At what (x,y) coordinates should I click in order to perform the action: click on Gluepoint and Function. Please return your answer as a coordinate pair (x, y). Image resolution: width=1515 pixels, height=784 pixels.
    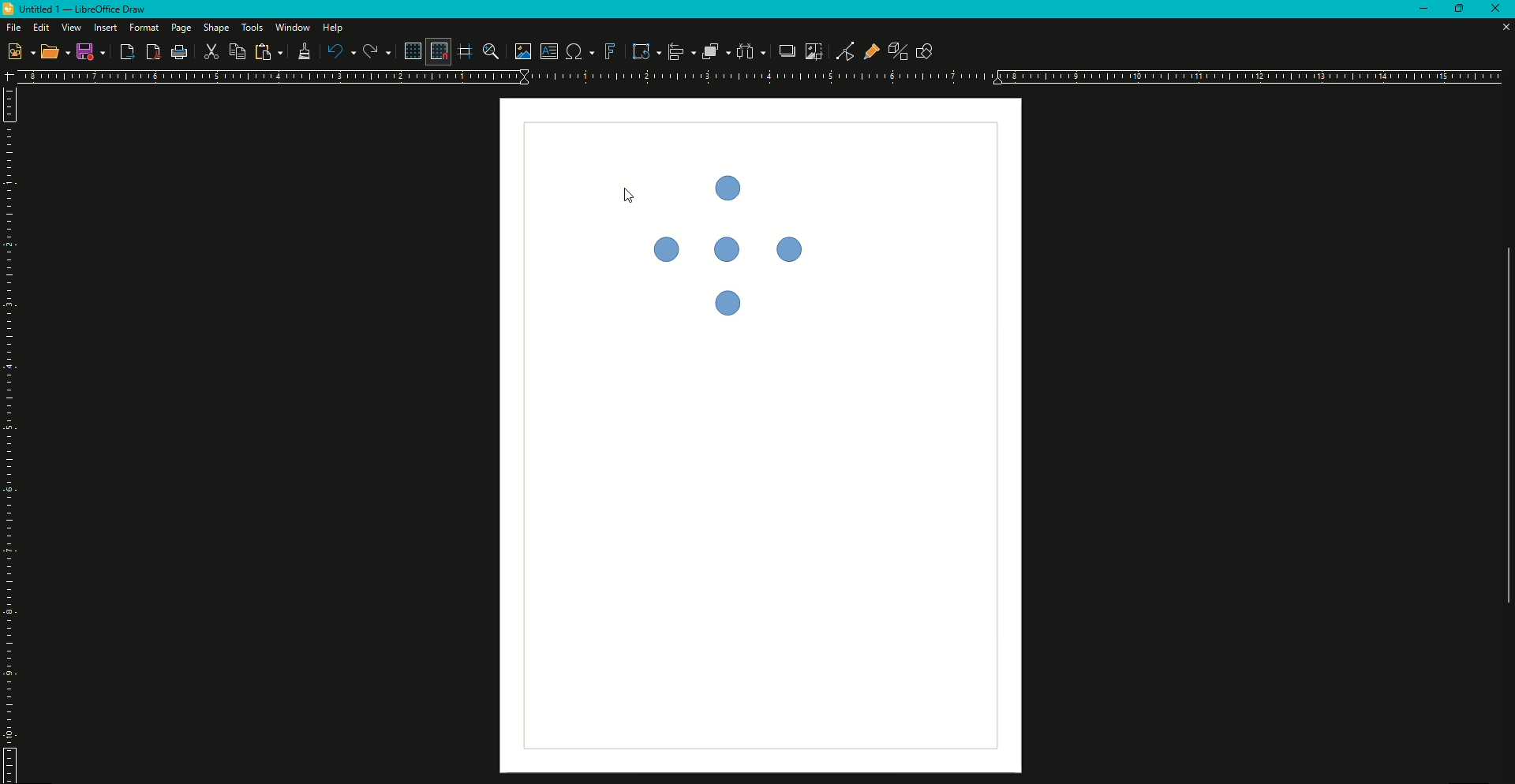
    Looking at the image, I should click on (873, 53).